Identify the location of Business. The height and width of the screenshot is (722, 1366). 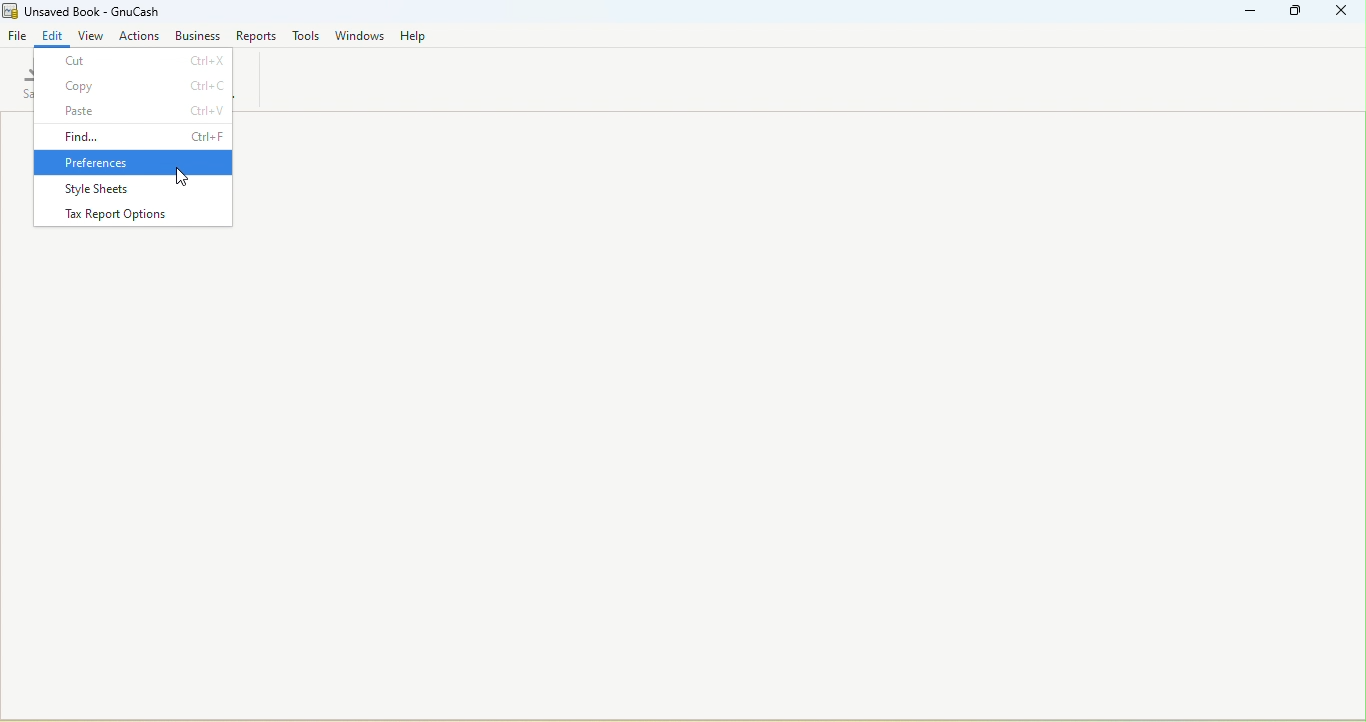
(196, 35).